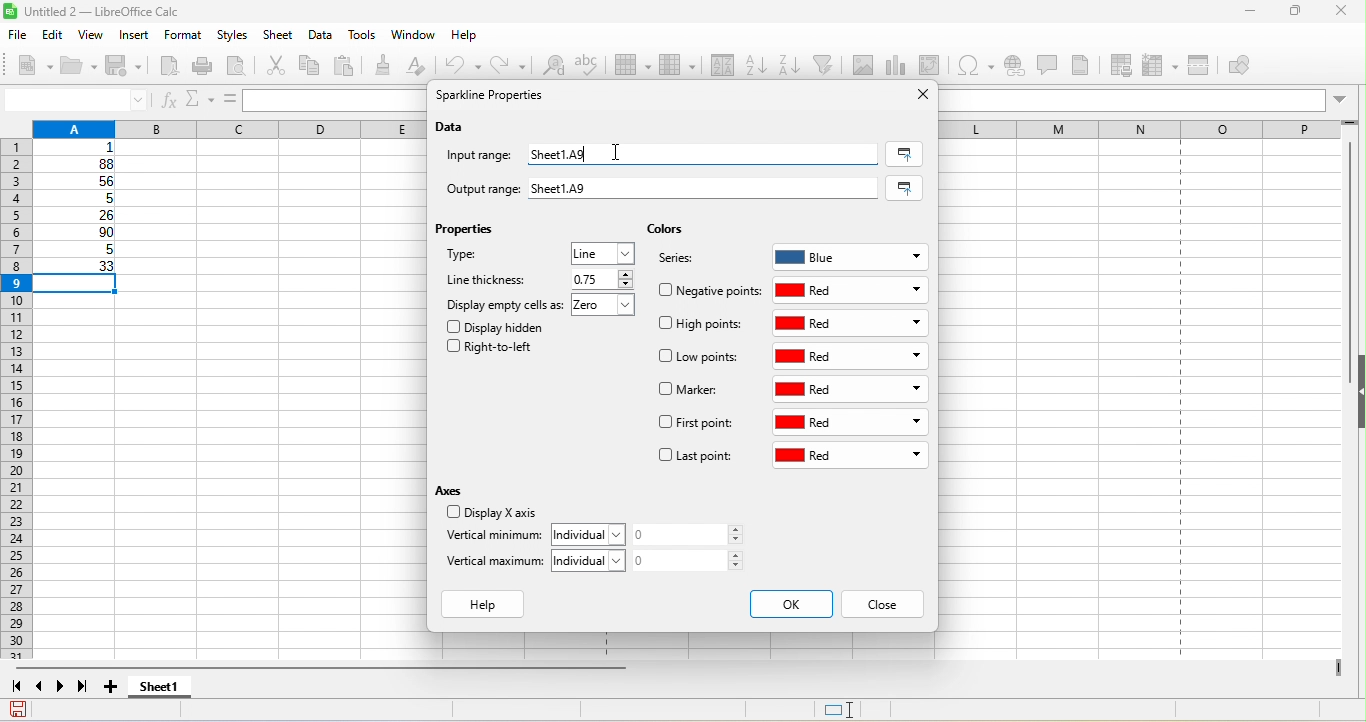  Describe the element at coordinates (853, 357) in the screenshot. I see `red` at that location.